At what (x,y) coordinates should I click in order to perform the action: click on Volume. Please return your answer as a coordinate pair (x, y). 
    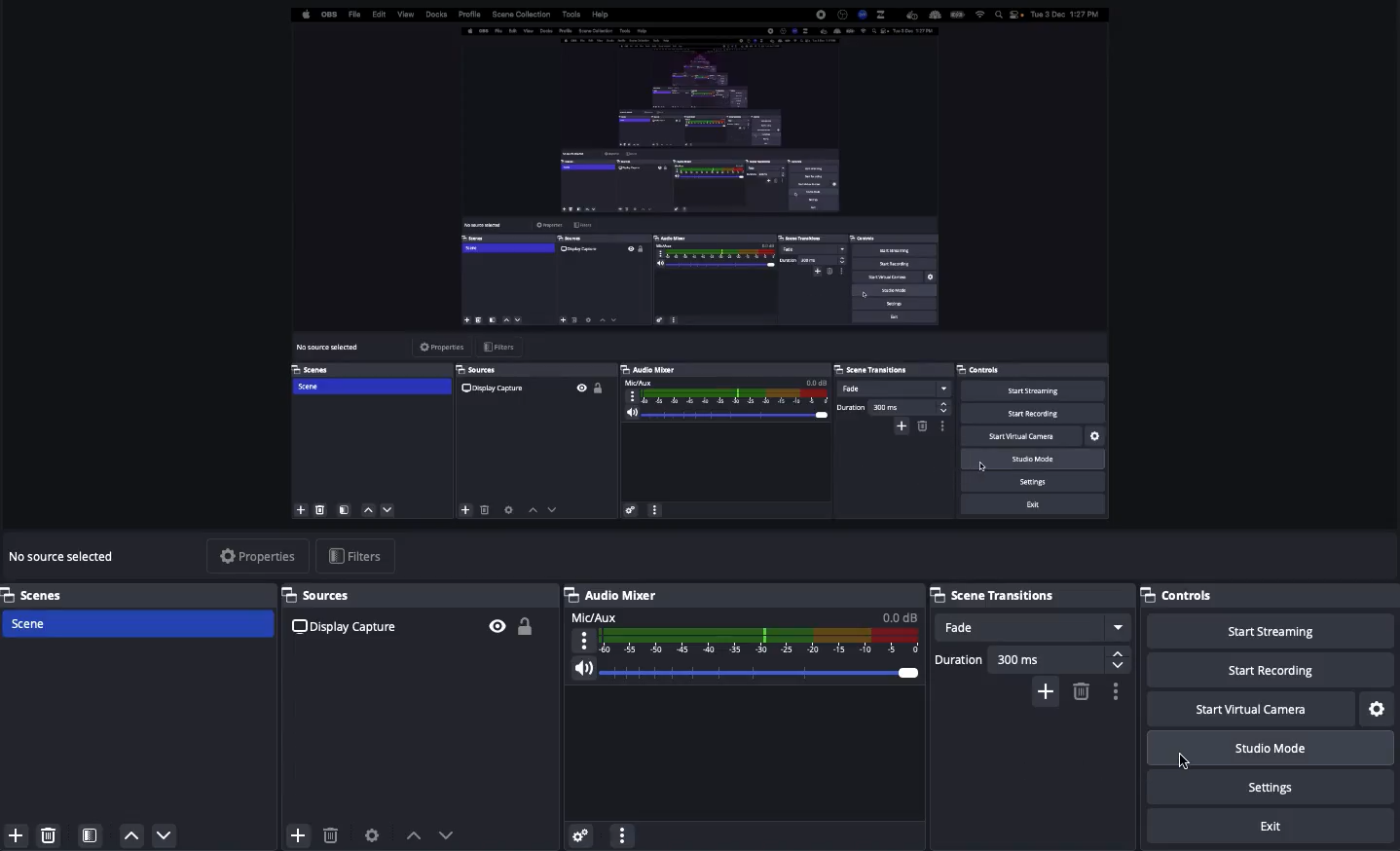
    Looking at the image, I should click on (742, 673).